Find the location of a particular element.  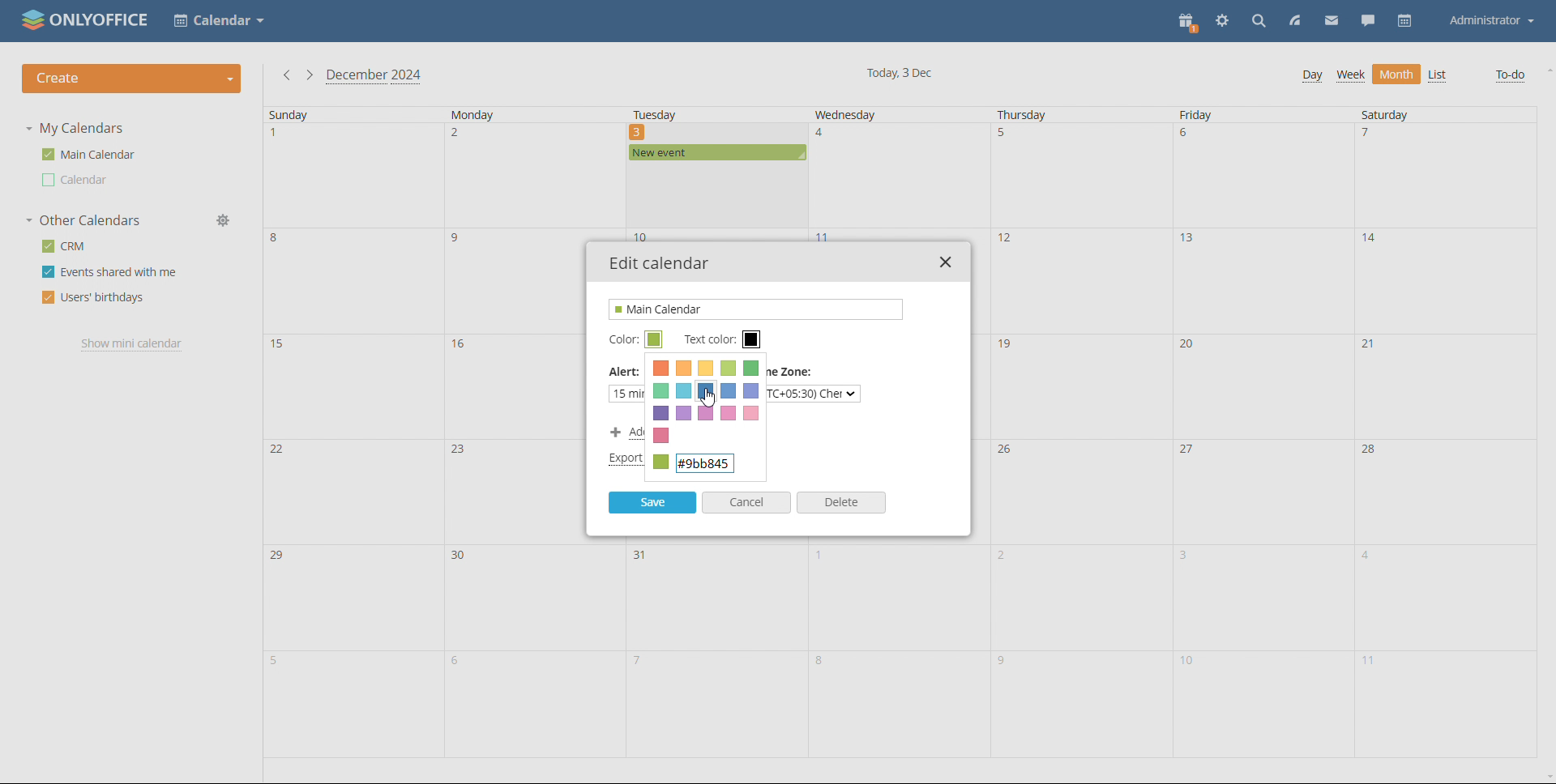

date is located at coordinates (353, 176).